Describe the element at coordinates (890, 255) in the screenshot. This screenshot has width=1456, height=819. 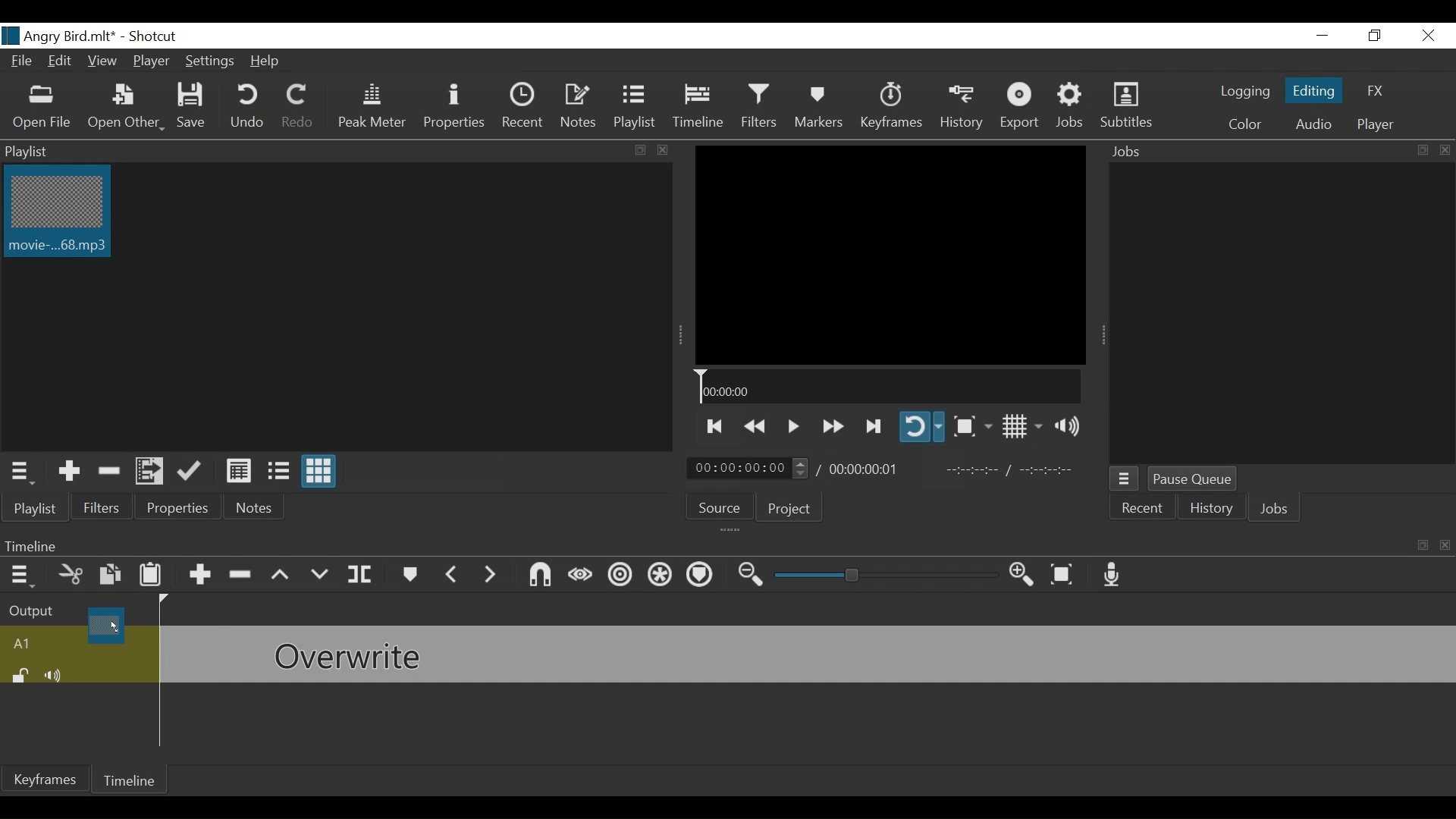
I see `Media Viewer` at that location.